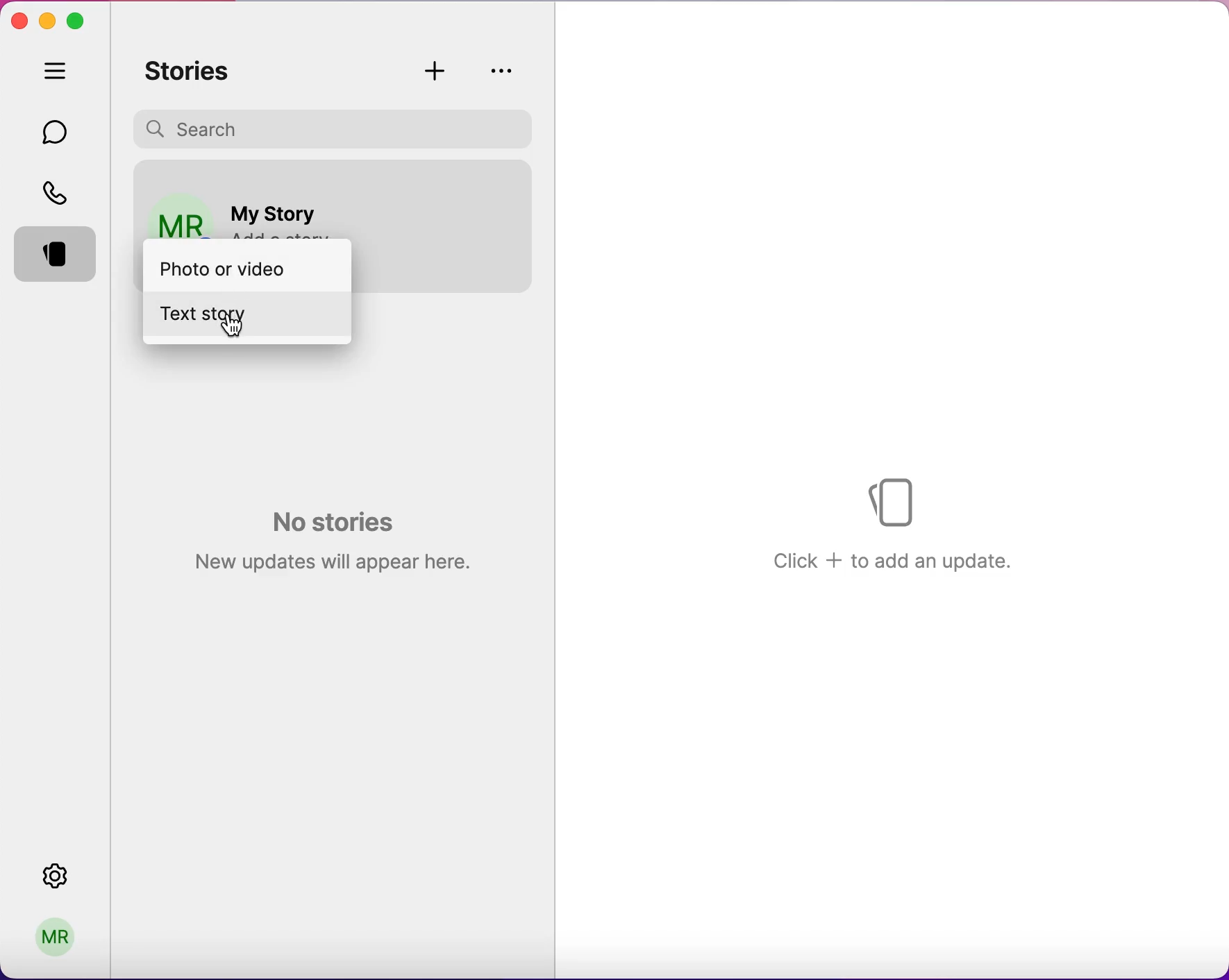 Image resolution: width=1229 pixels, height=980 pixels. I want to click on search, so click(337, 127).